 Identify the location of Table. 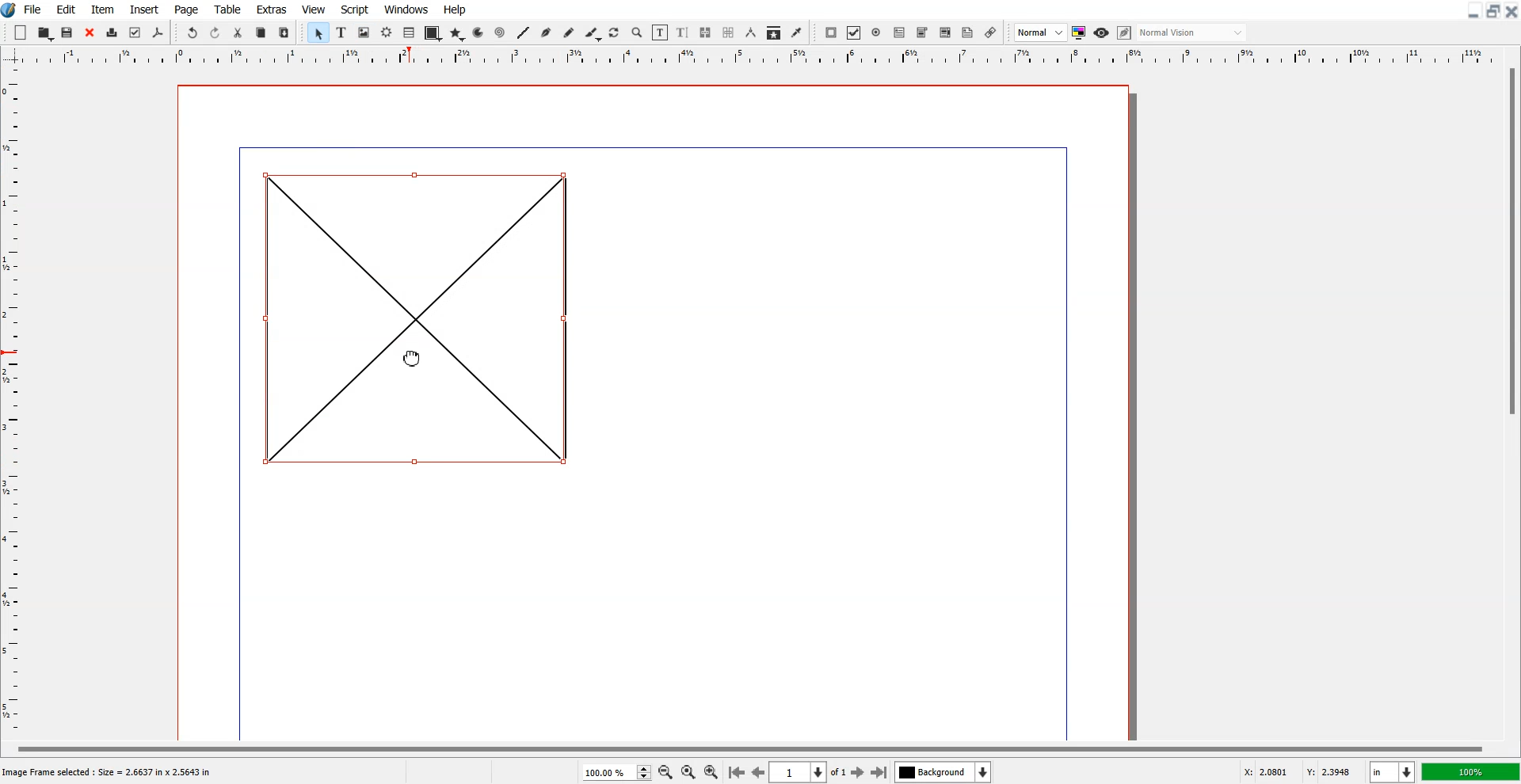
(227, 9).